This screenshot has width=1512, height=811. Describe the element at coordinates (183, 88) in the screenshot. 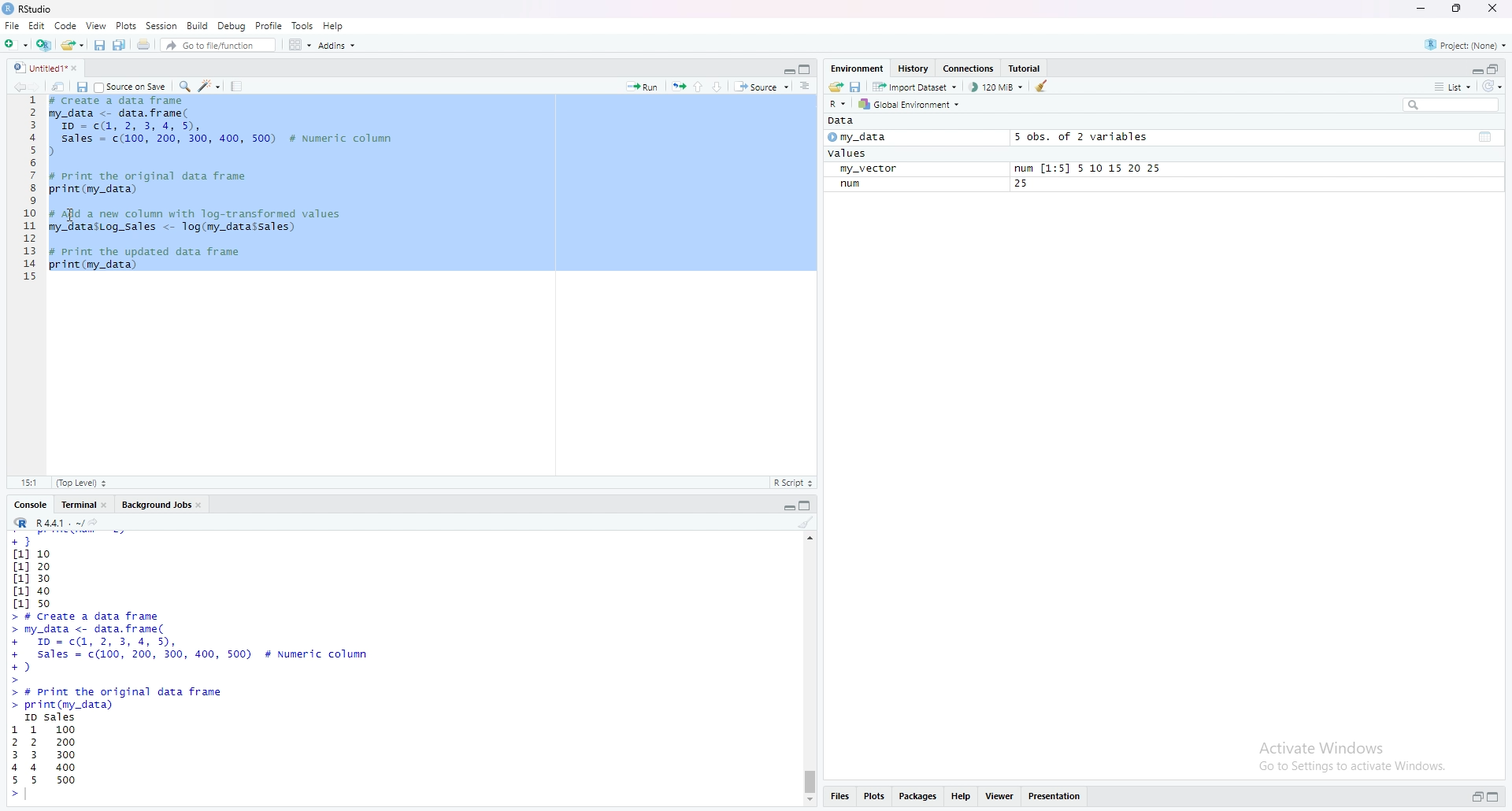

I see `find/replace` at that location.